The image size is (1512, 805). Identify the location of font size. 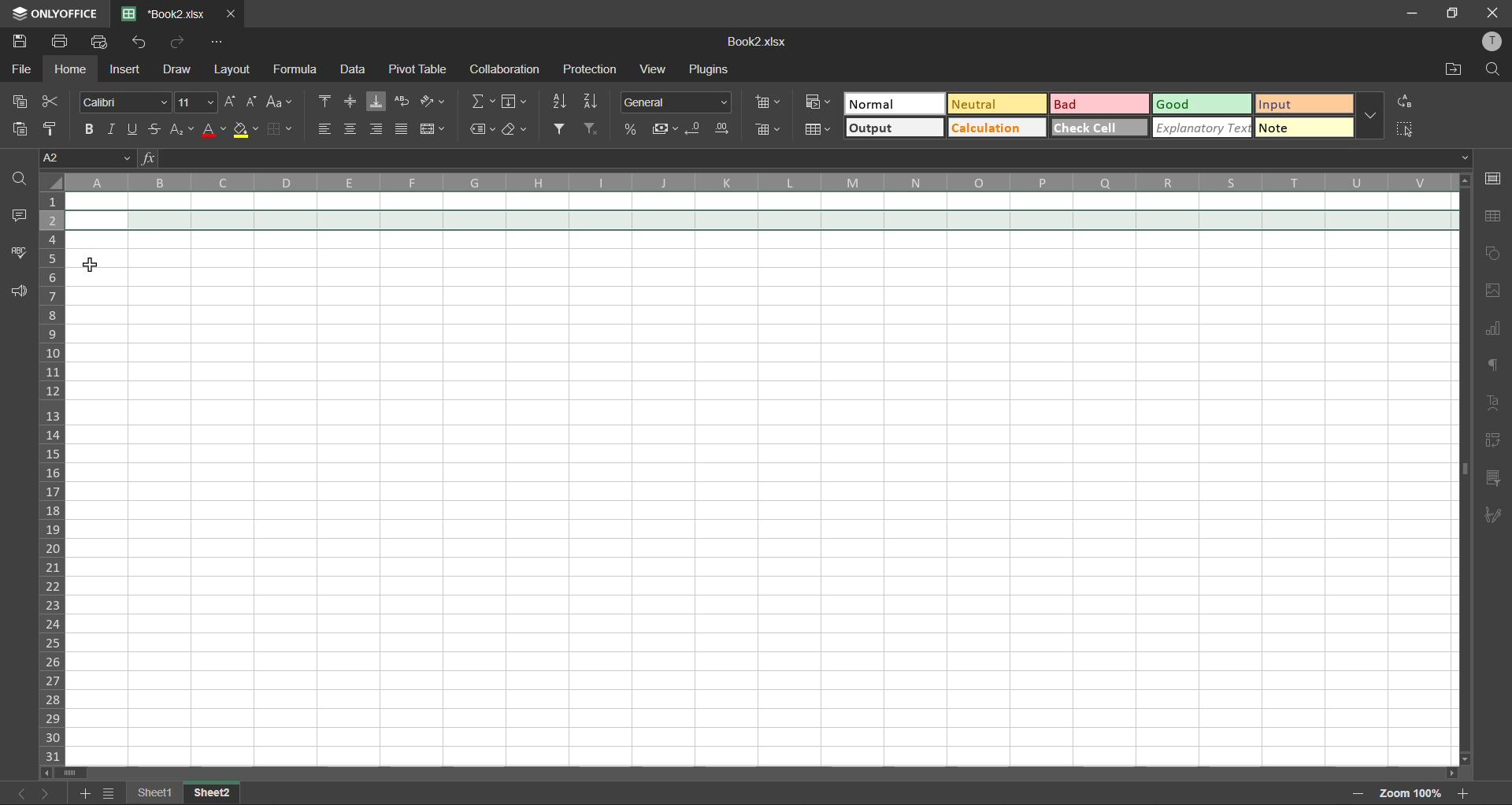
(198, 103).